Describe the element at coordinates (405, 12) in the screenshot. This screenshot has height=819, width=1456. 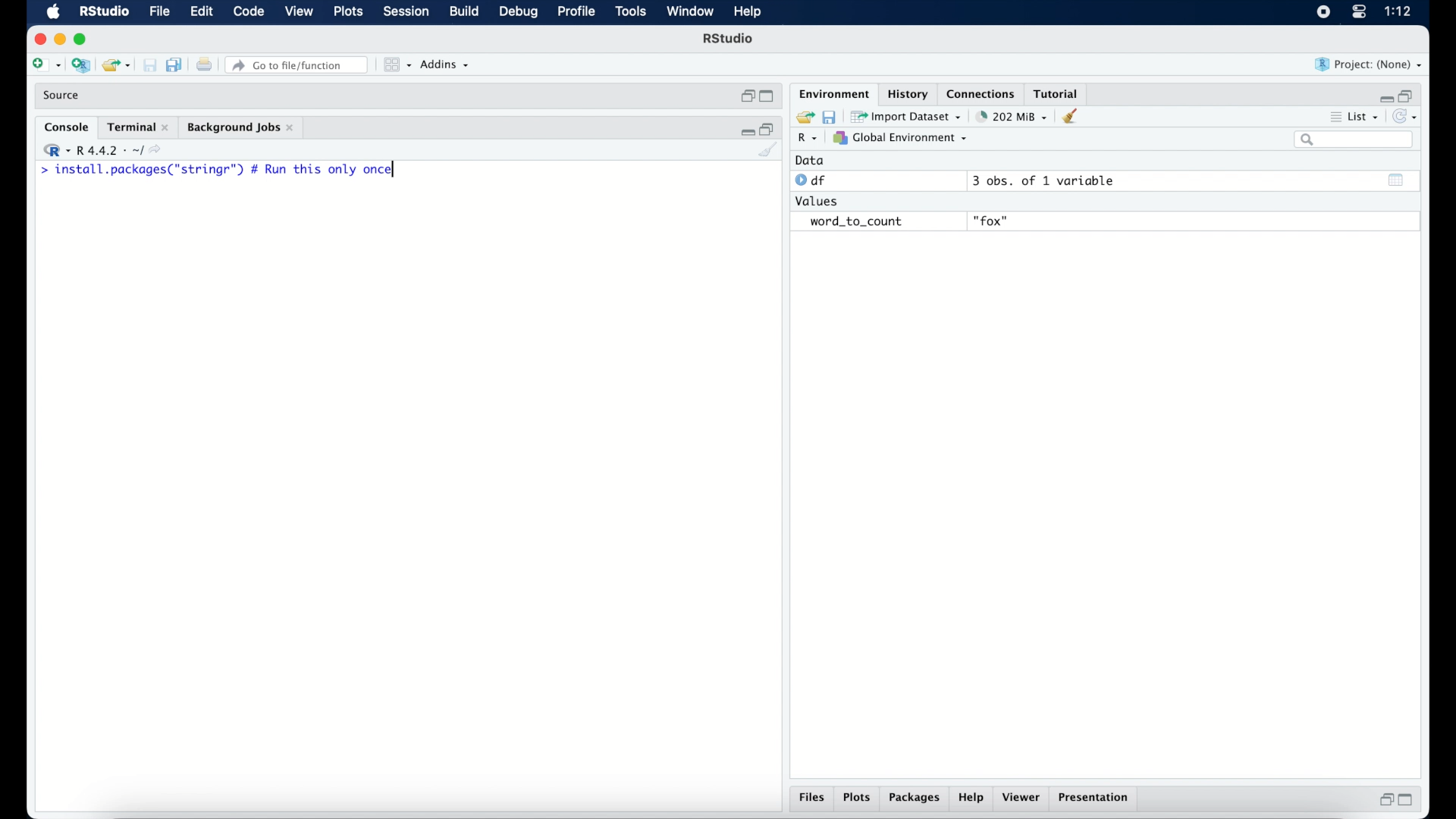
I see `session` at that location.